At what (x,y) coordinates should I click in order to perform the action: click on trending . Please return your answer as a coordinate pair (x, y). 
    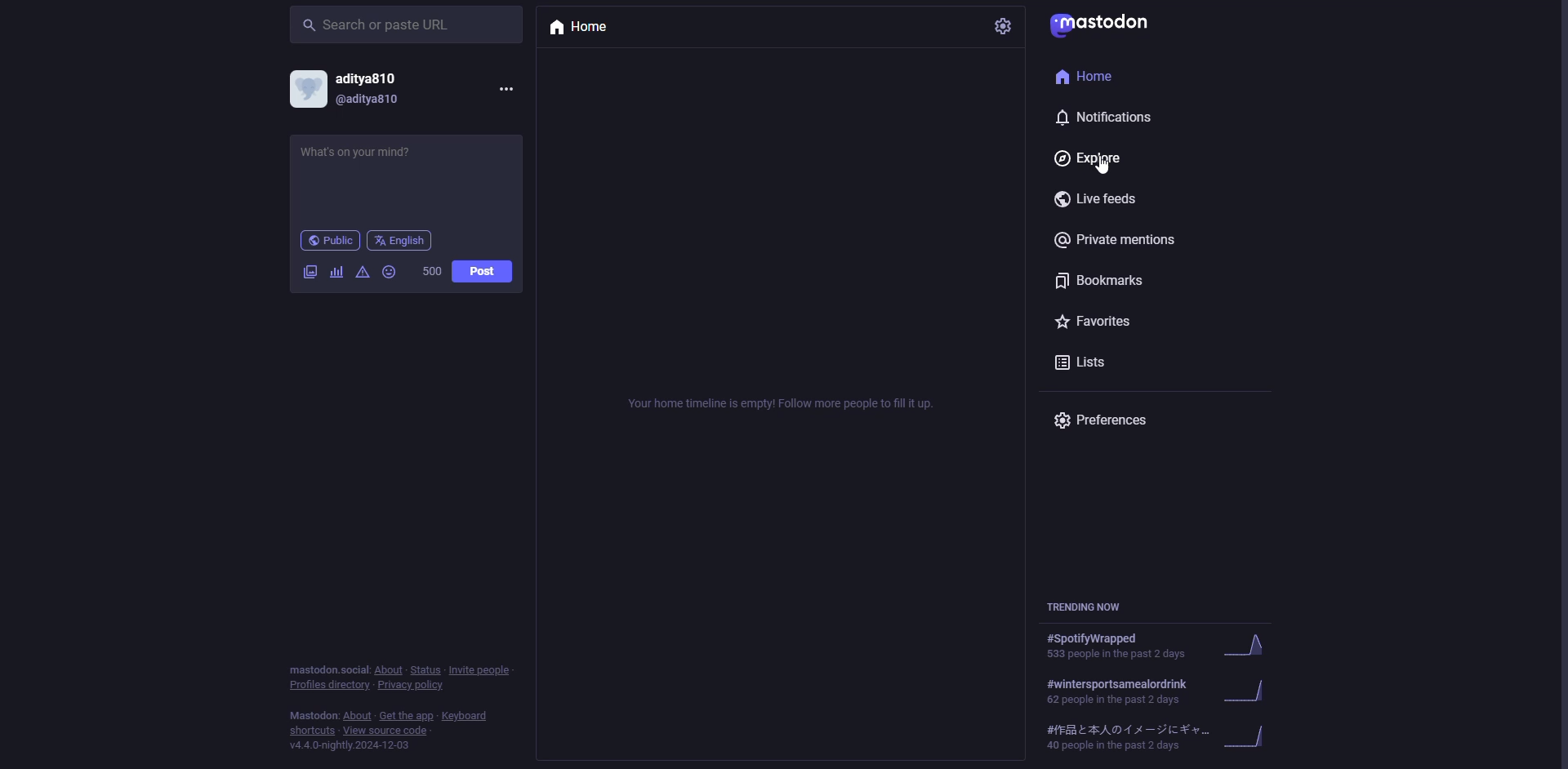
    Looking at the image, I should click on (1152, 691).